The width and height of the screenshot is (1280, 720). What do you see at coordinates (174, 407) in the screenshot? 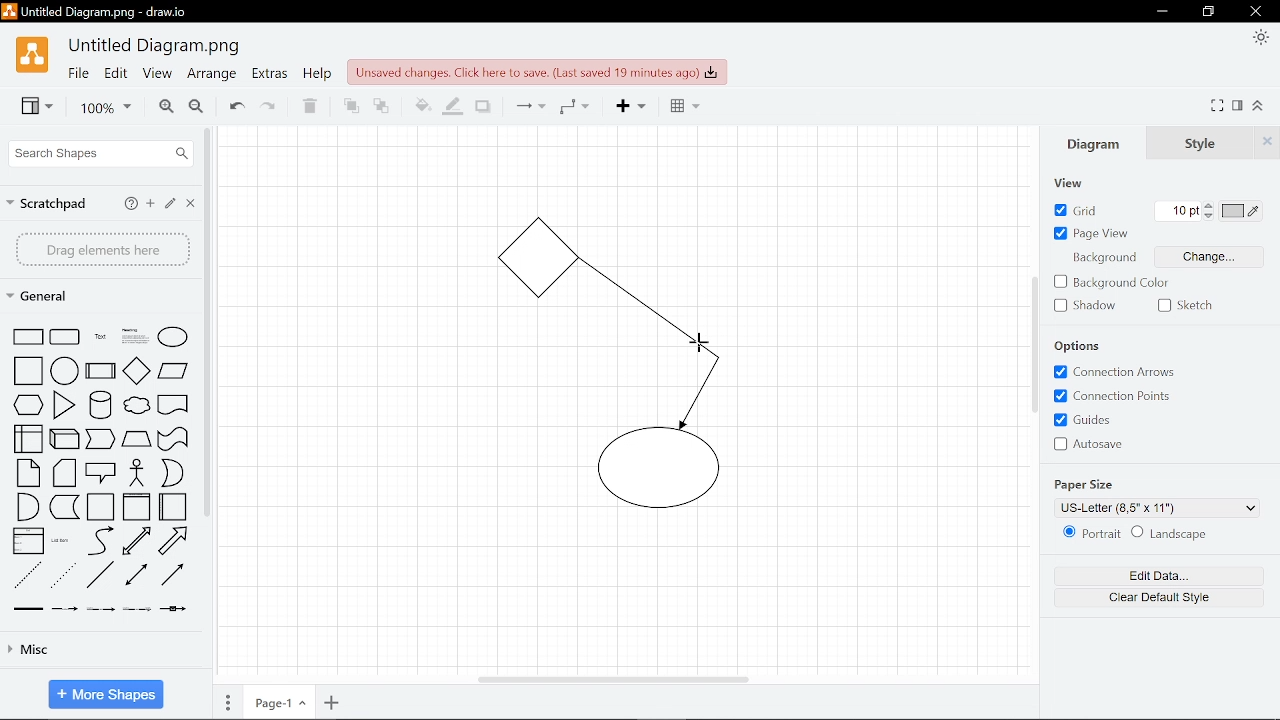
I see `shape` at bounding box center [174, 407].